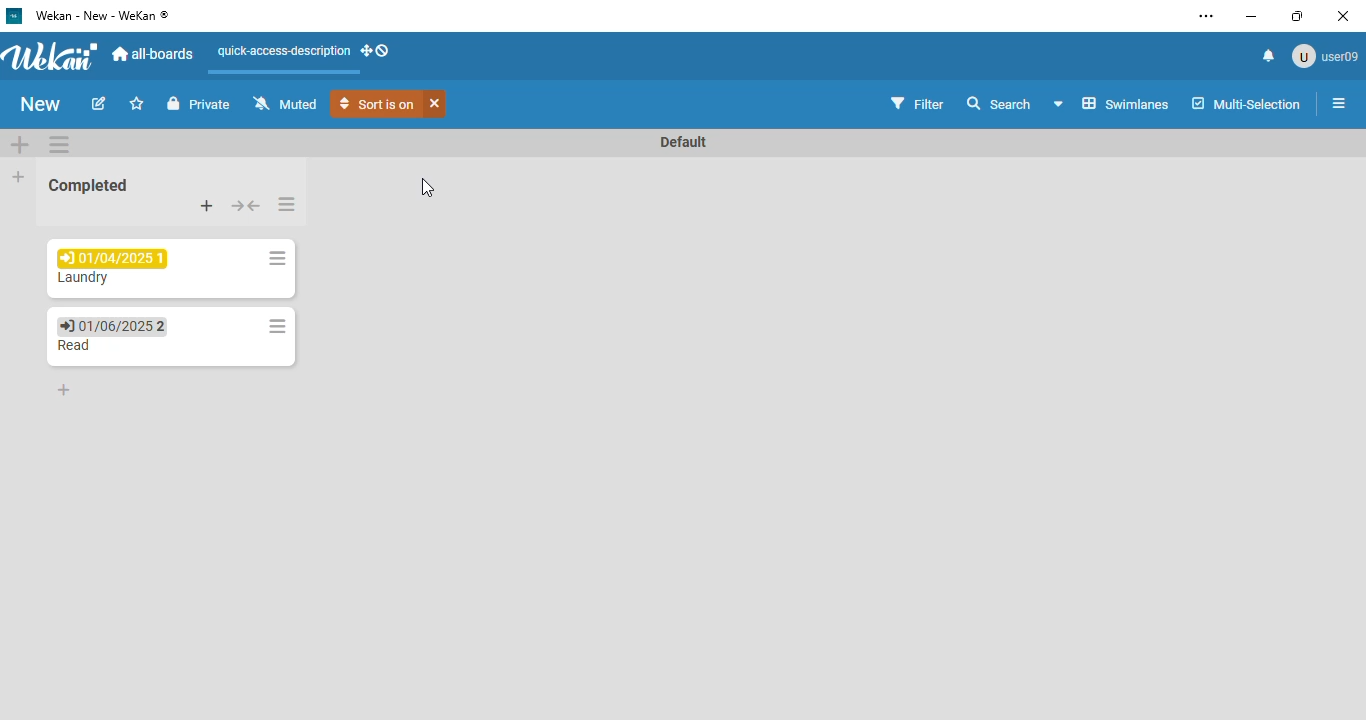 This screenshot has height=720, width=1366. Describe the element at coordinates (155, 54) in the screenshot. I see `all-boards` at that location.